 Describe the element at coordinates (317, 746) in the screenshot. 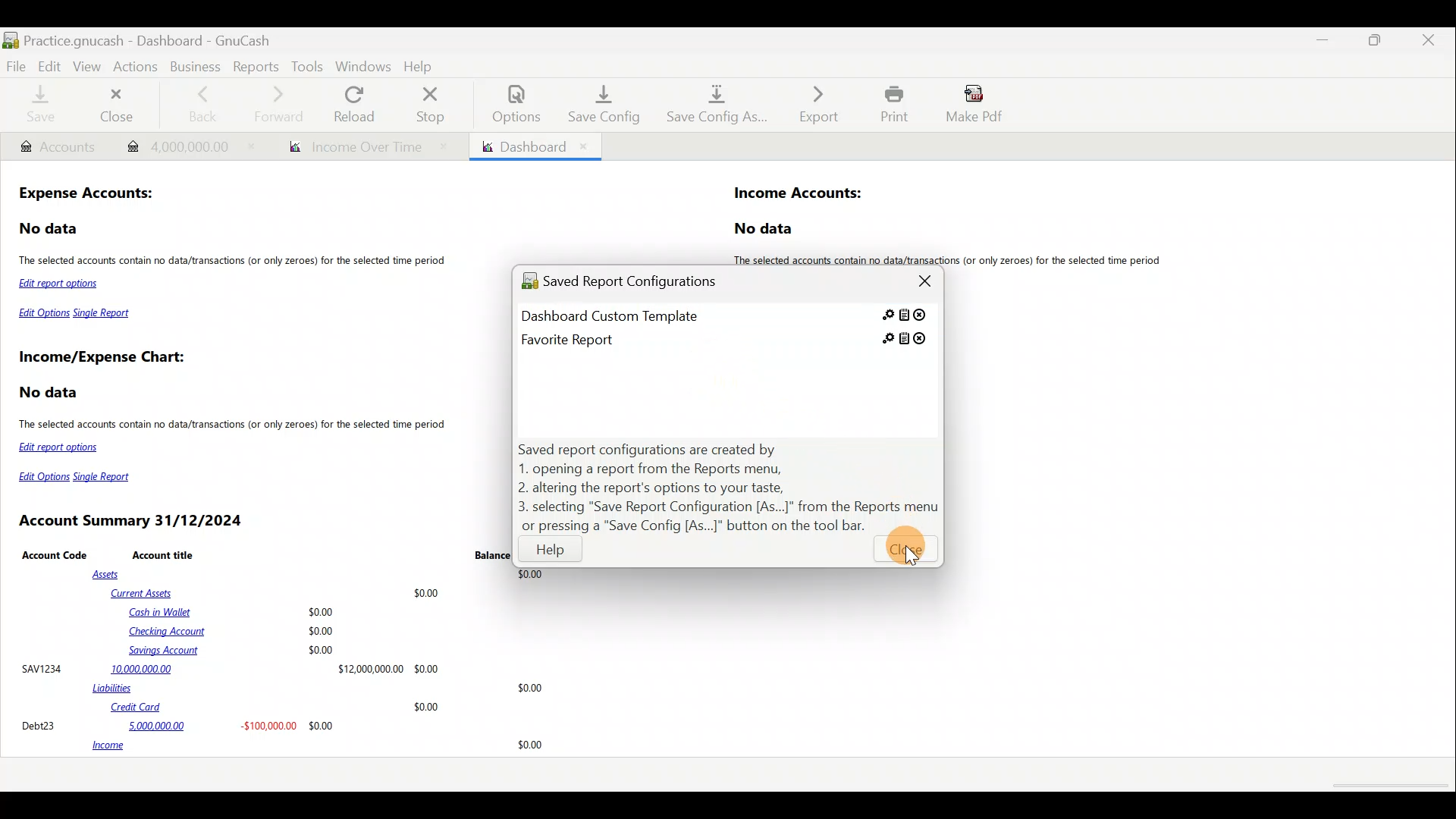

I see `income 30.00` at that location.